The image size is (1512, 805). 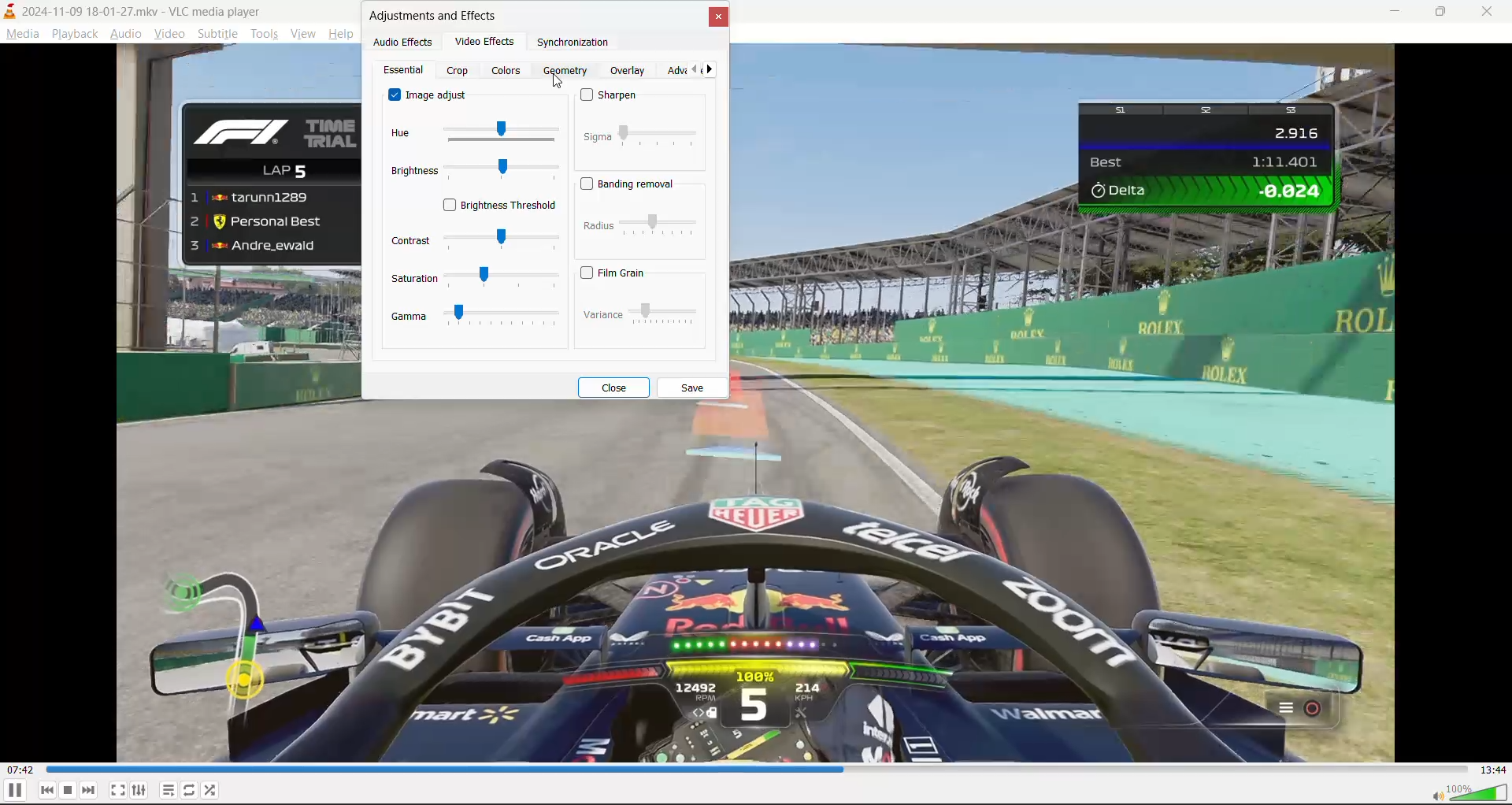 What do you see at coordinates (306, 32) in the screenshot?
I see `view` at bounding box center [306, 32].